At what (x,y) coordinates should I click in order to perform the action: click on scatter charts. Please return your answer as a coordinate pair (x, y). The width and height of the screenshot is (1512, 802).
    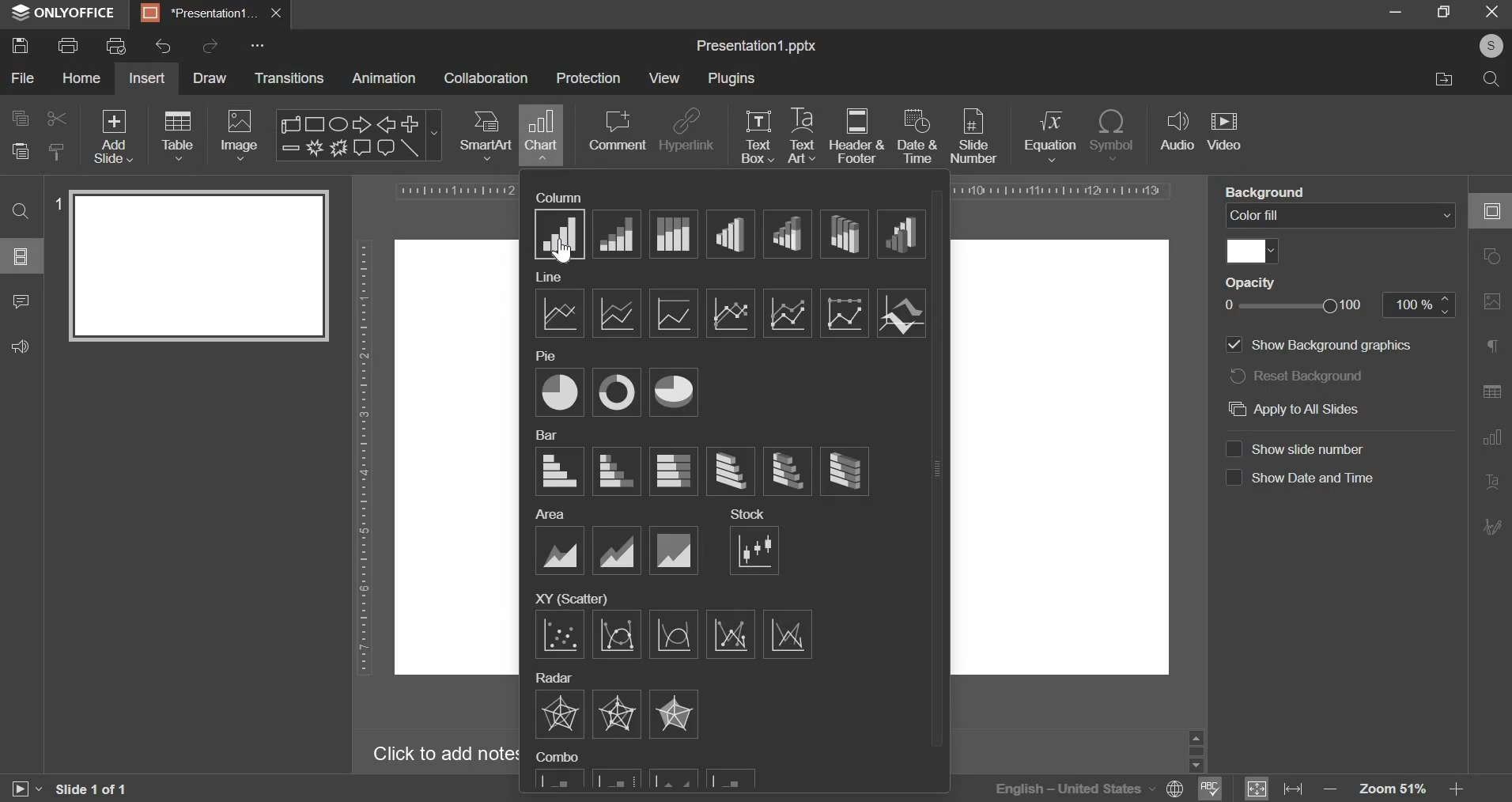
    Looking at the image, I should click on (674, 635).